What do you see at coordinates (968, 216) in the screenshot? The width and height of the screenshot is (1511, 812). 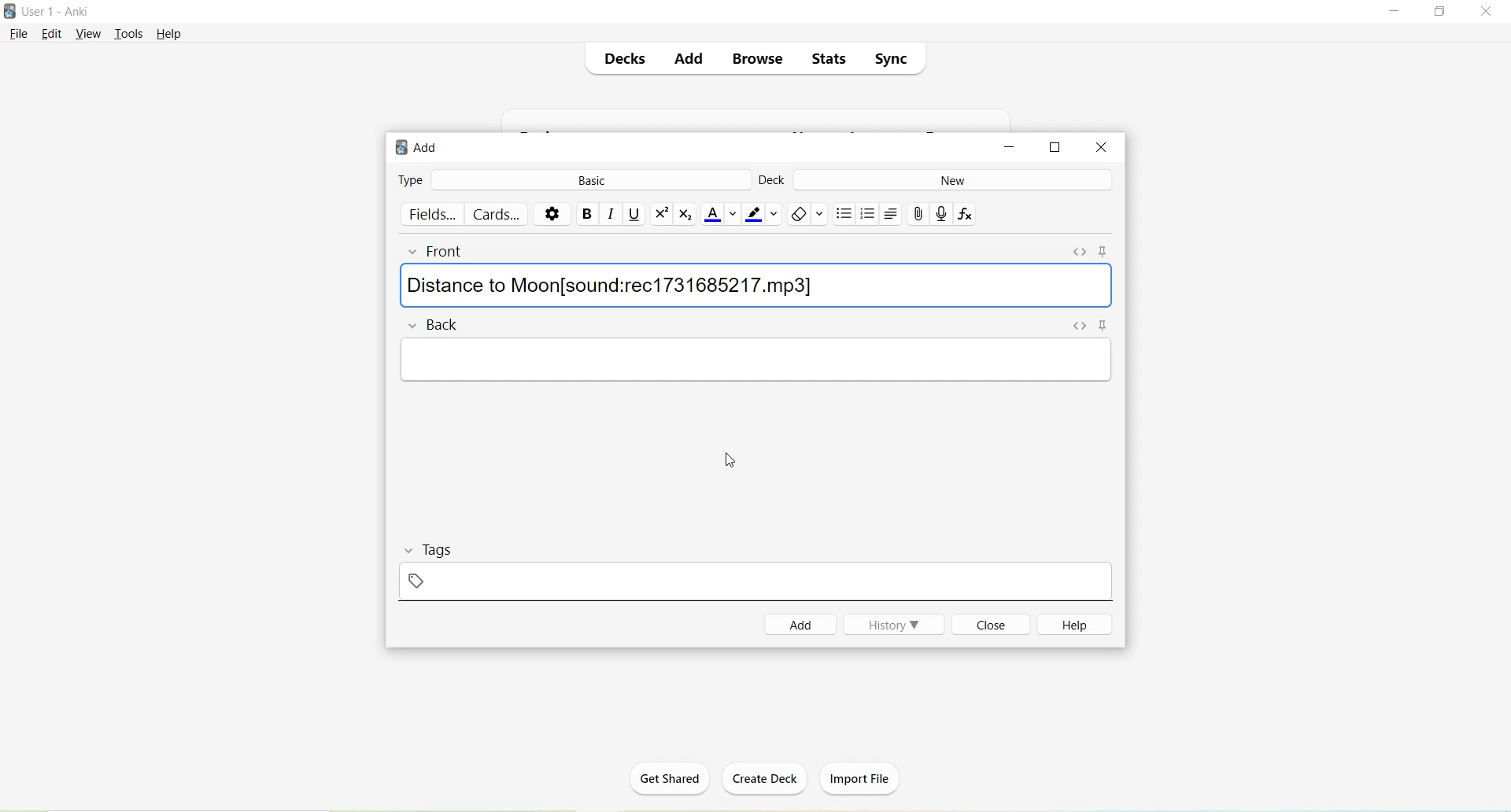 I see `Equations` at bounding box center [968, 216].